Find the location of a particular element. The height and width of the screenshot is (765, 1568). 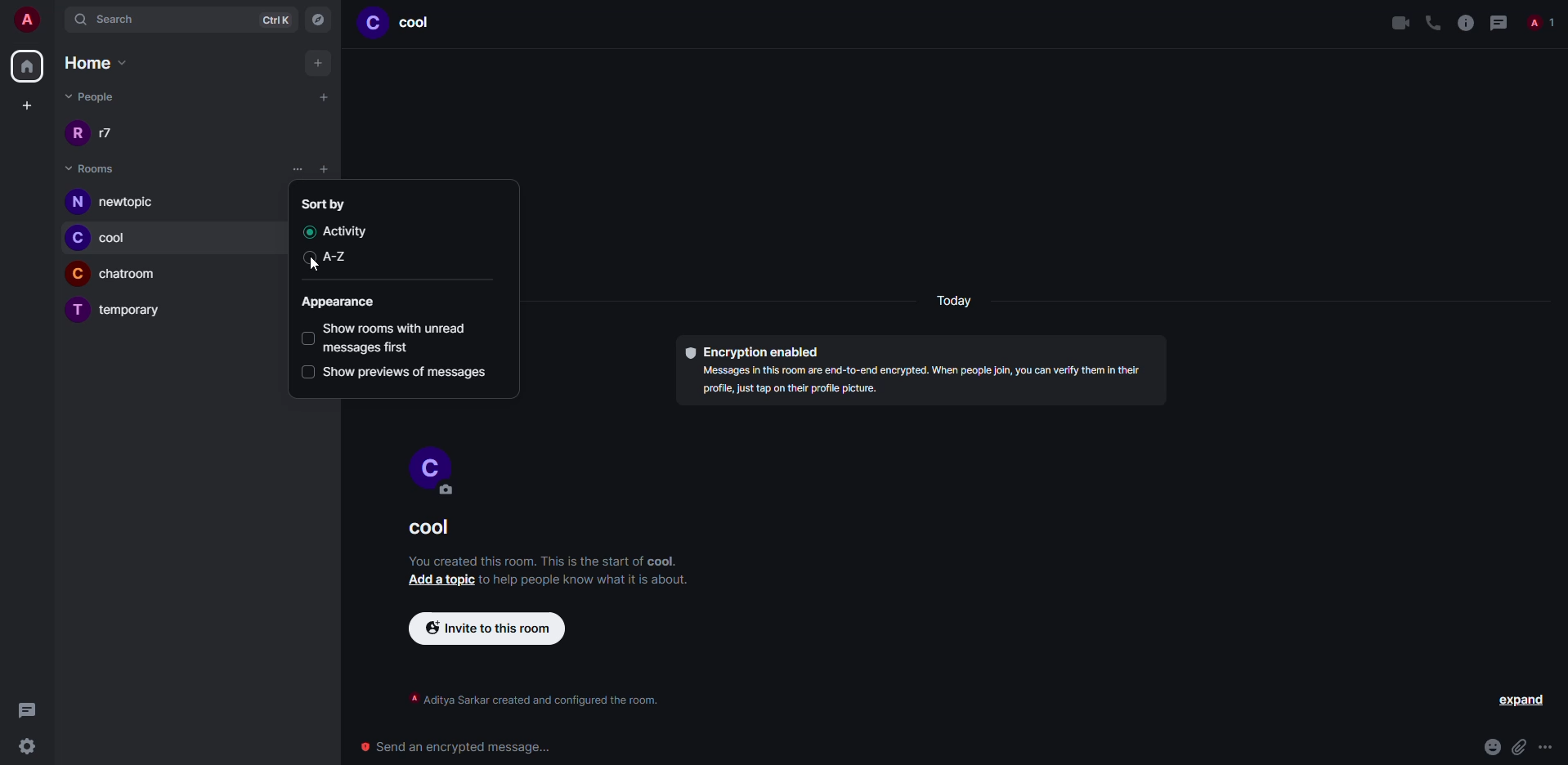

threads is located at coordinates (20, 710).